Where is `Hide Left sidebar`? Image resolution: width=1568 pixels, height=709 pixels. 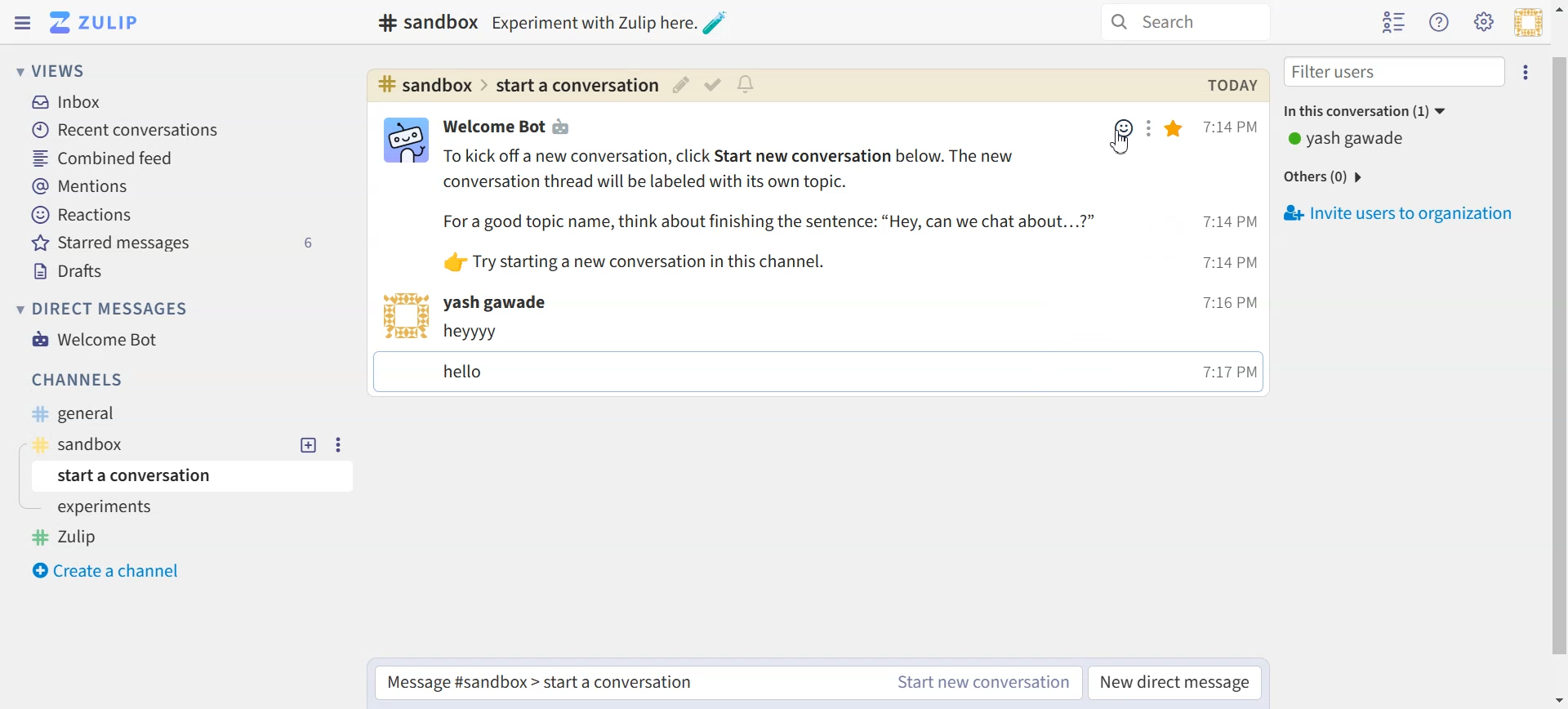
Hide Left sidebar is located at coordinates (23, 23).